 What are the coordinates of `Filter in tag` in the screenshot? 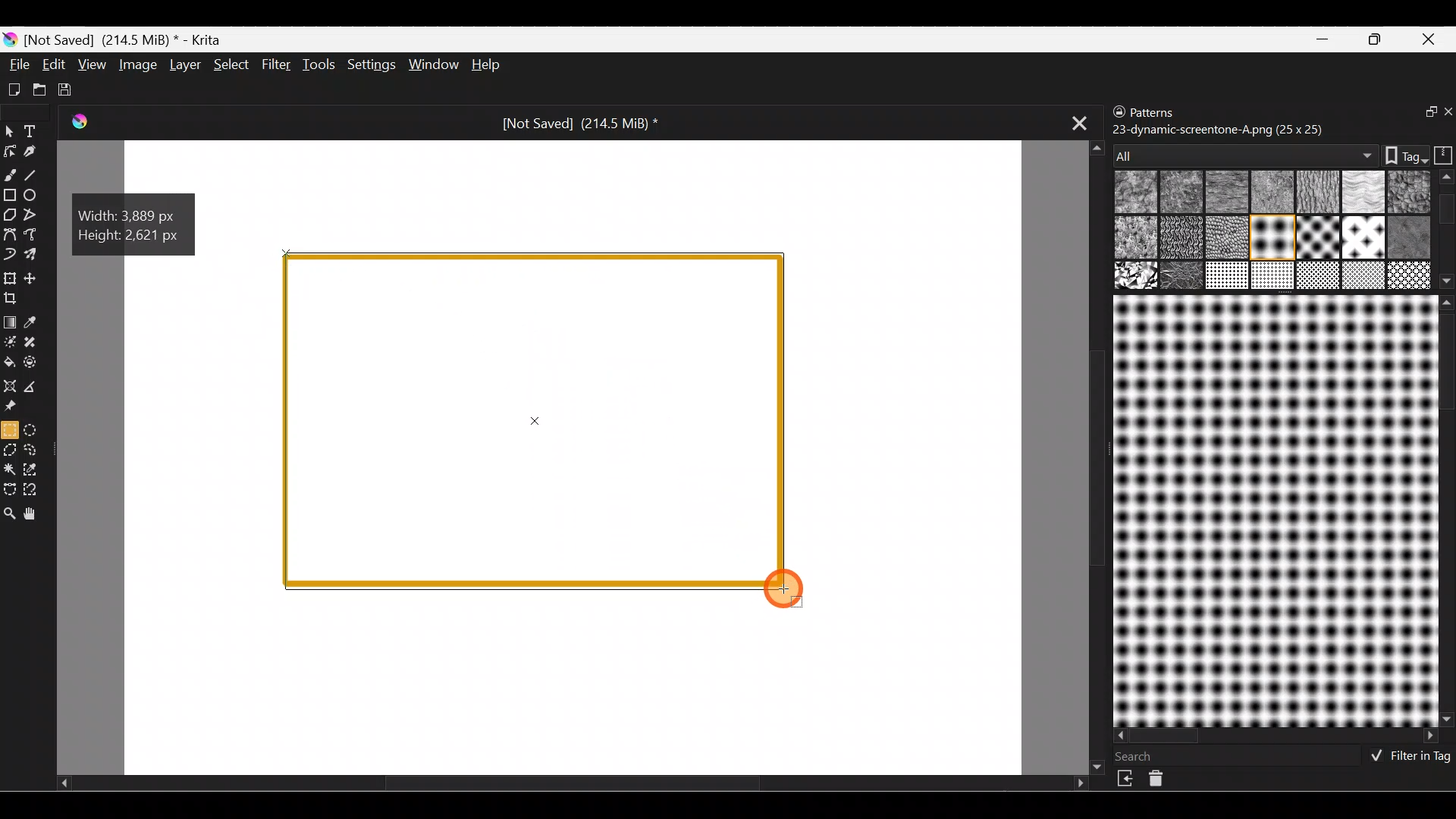 It's located at (1407, 758).